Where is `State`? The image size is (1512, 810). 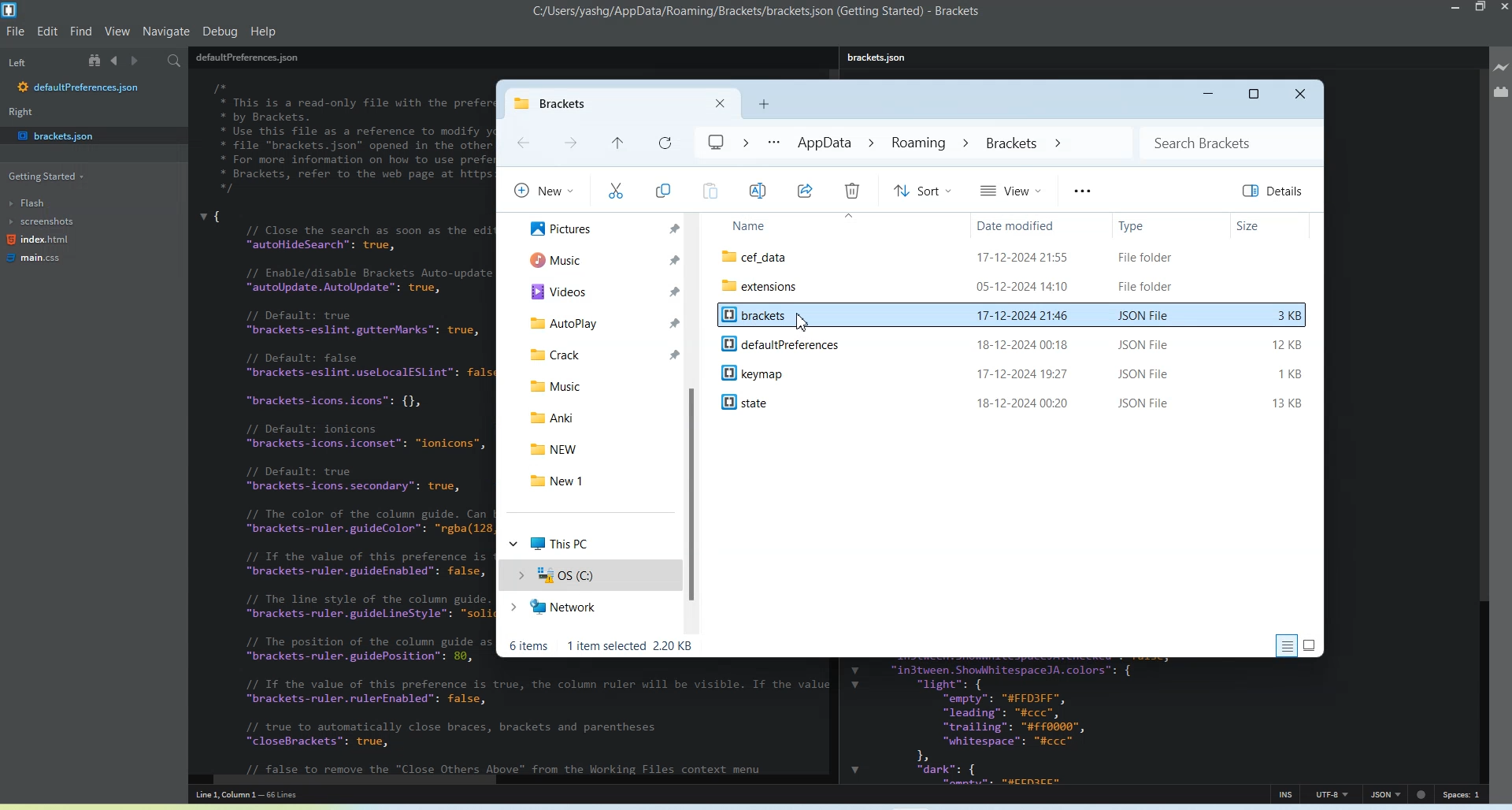
State is located at coordinates (1017, 402).